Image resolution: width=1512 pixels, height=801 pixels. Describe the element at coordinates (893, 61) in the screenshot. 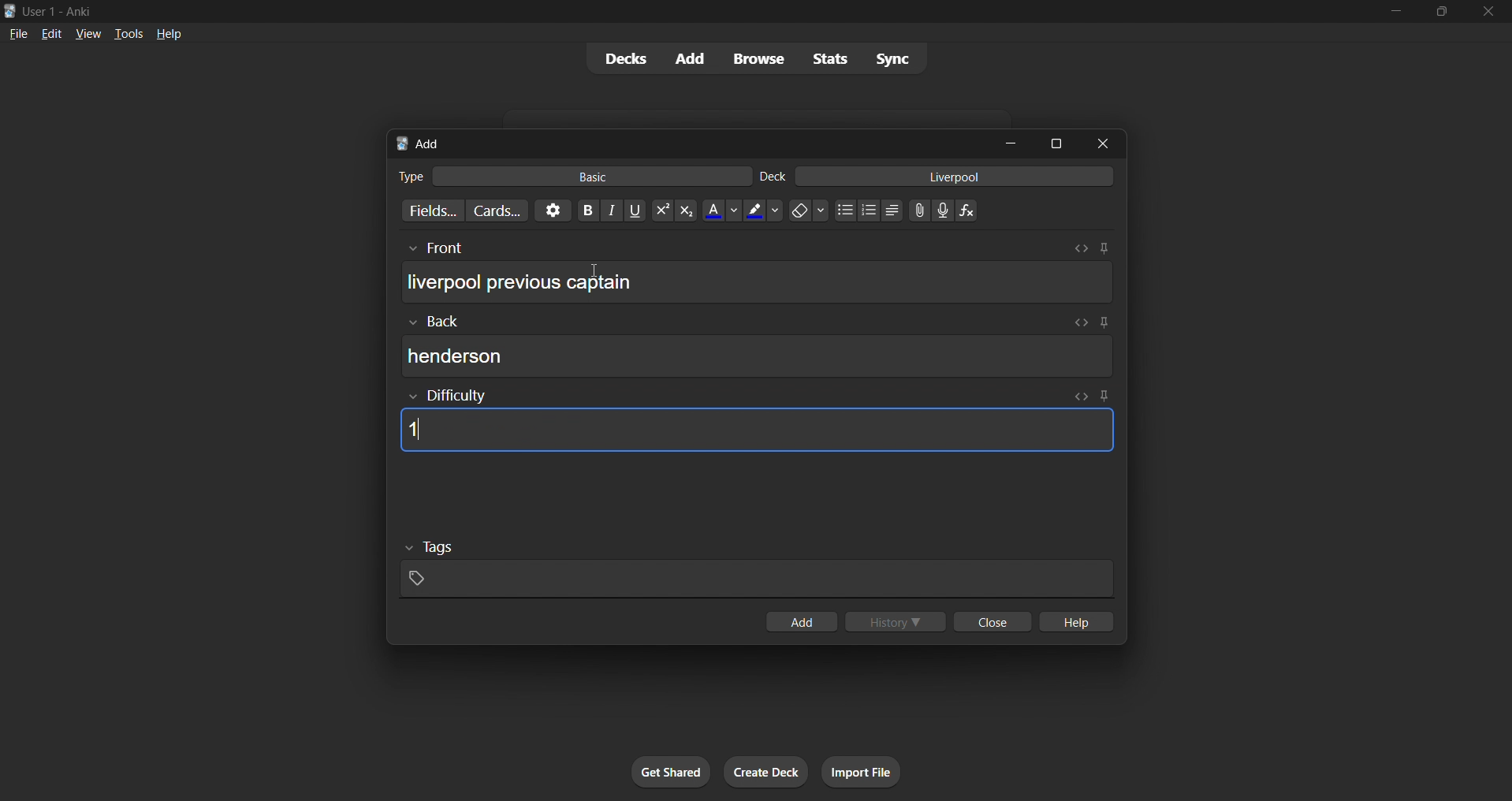

I see `sync` at that location.